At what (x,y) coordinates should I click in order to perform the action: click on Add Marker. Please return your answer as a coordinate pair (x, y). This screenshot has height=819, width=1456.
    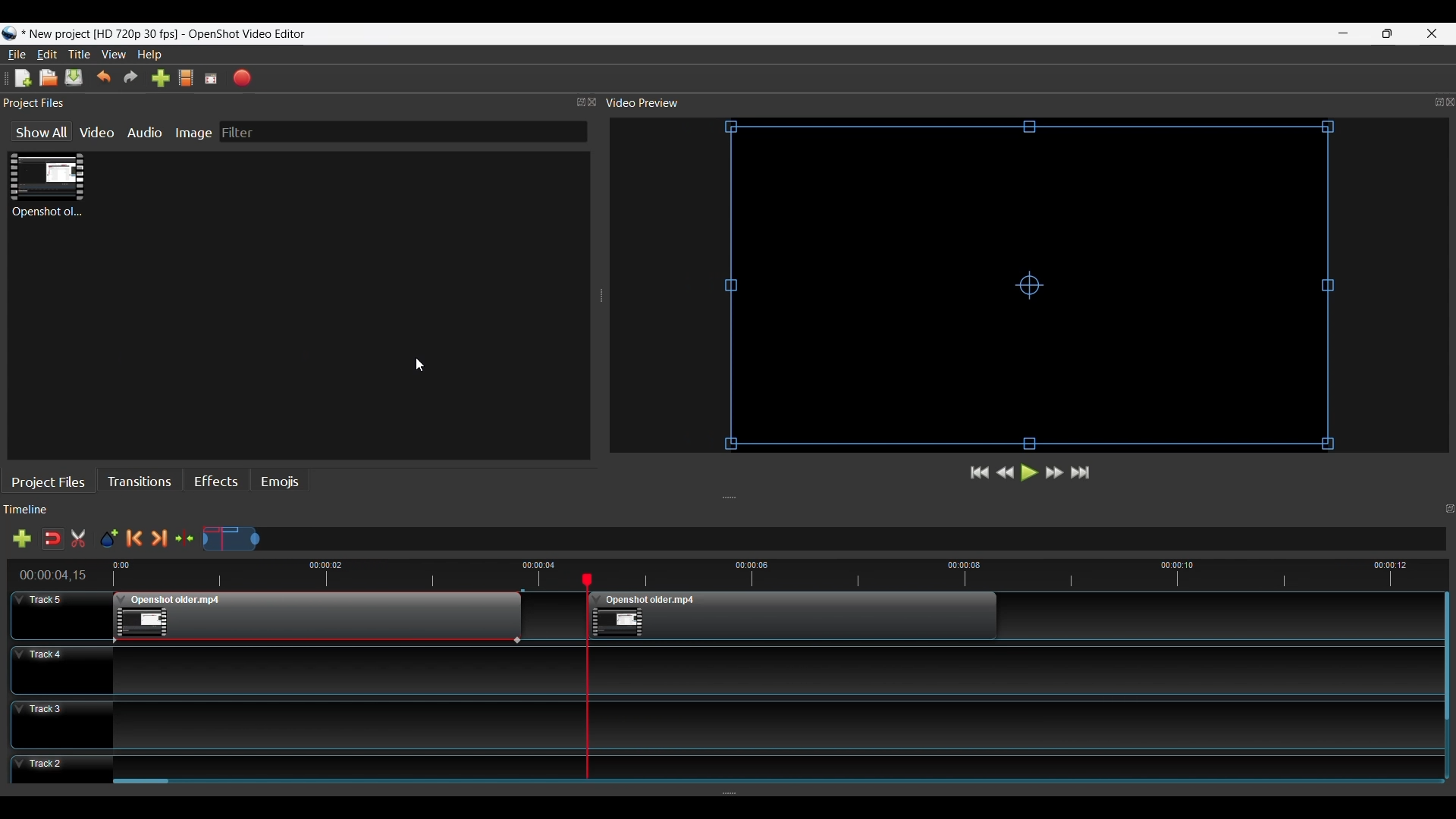
    Looking at the image, I should click on (108, 539).